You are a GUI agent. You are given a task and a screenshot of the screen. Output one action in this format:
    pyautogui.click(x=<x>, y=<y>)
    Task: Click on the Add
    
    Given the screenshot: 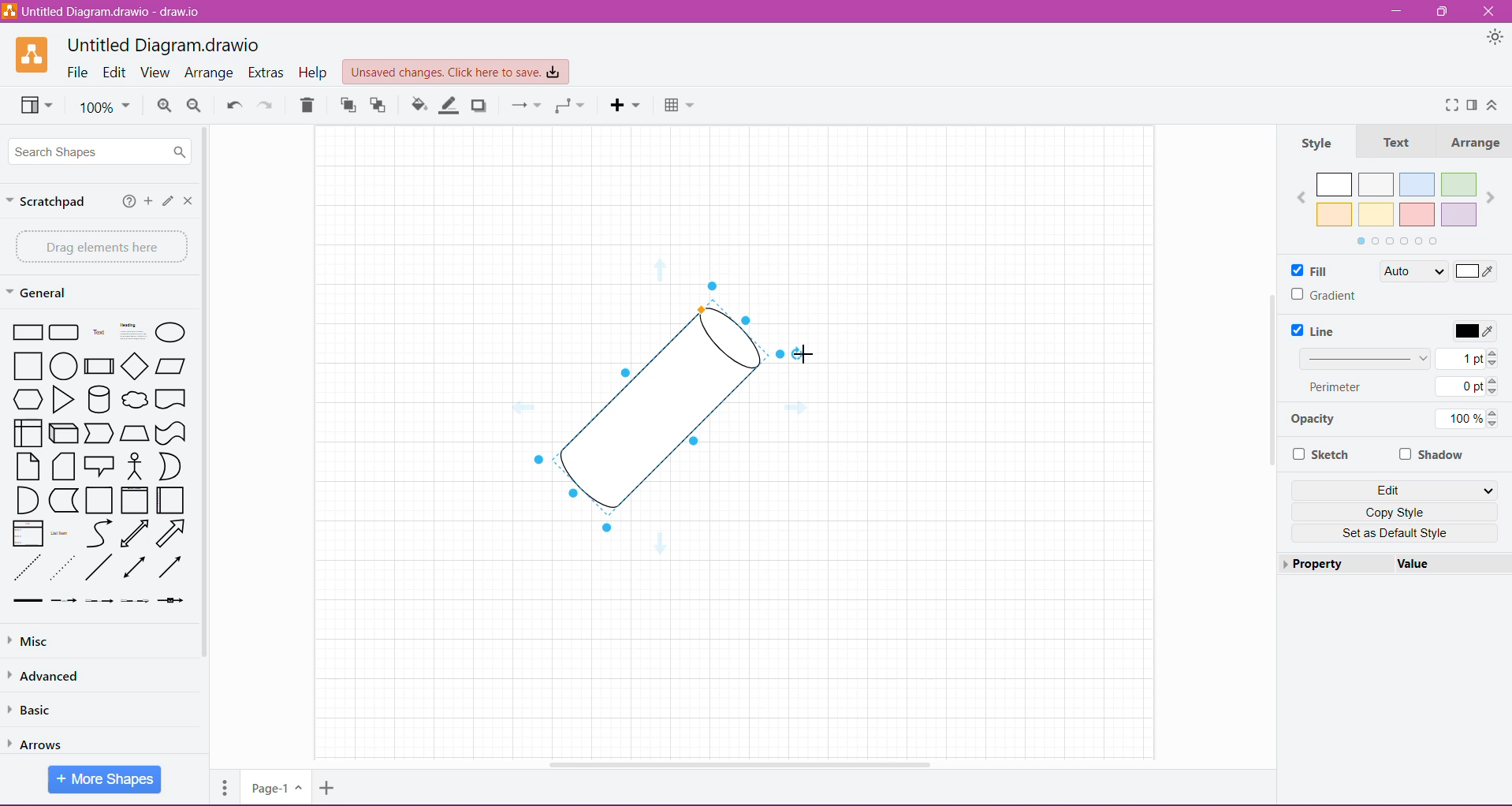 What is the action you would take?
    pyautogui.click(x=147, y=203)
    